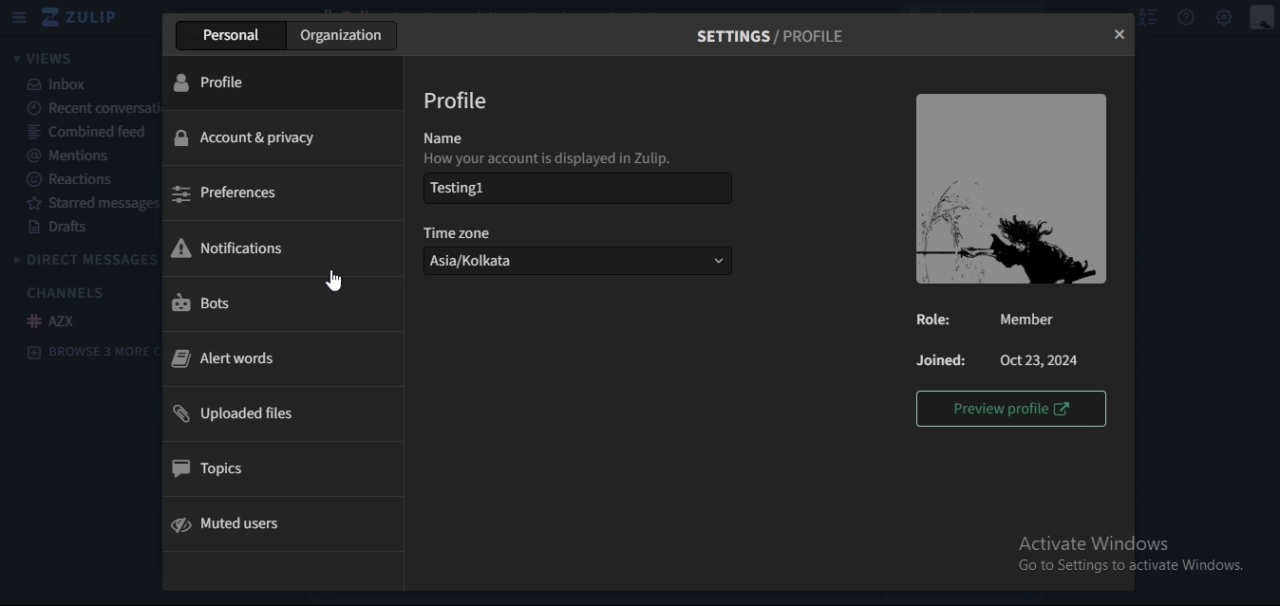 The image size is (1280, 606). I want to click on hamburger, so click(18, 19).